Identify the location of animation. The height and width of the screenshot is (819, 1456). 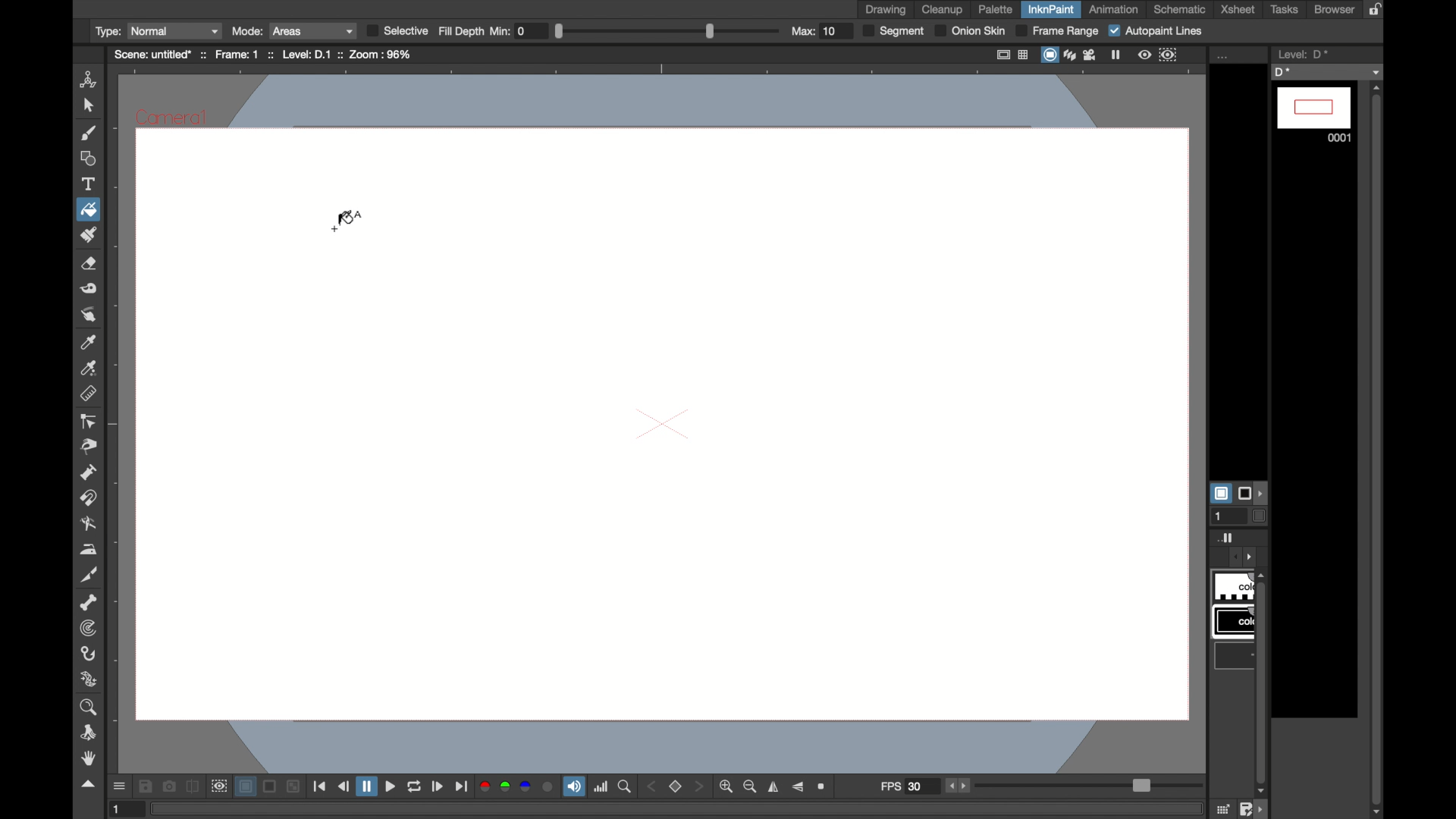
(1112, 9).